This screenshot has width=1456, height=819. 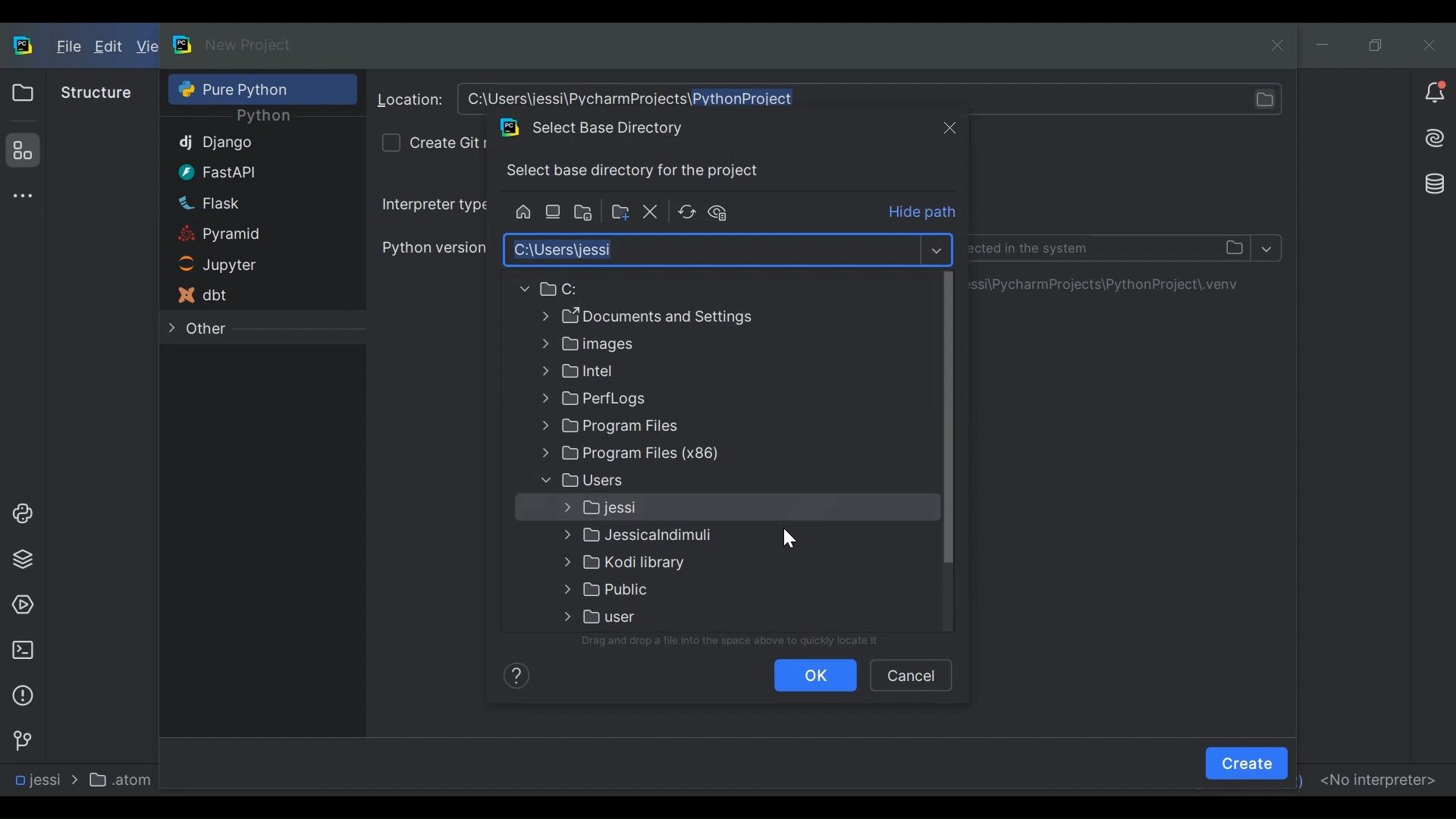 I want to click on Edit, so click(x=110, y=48).